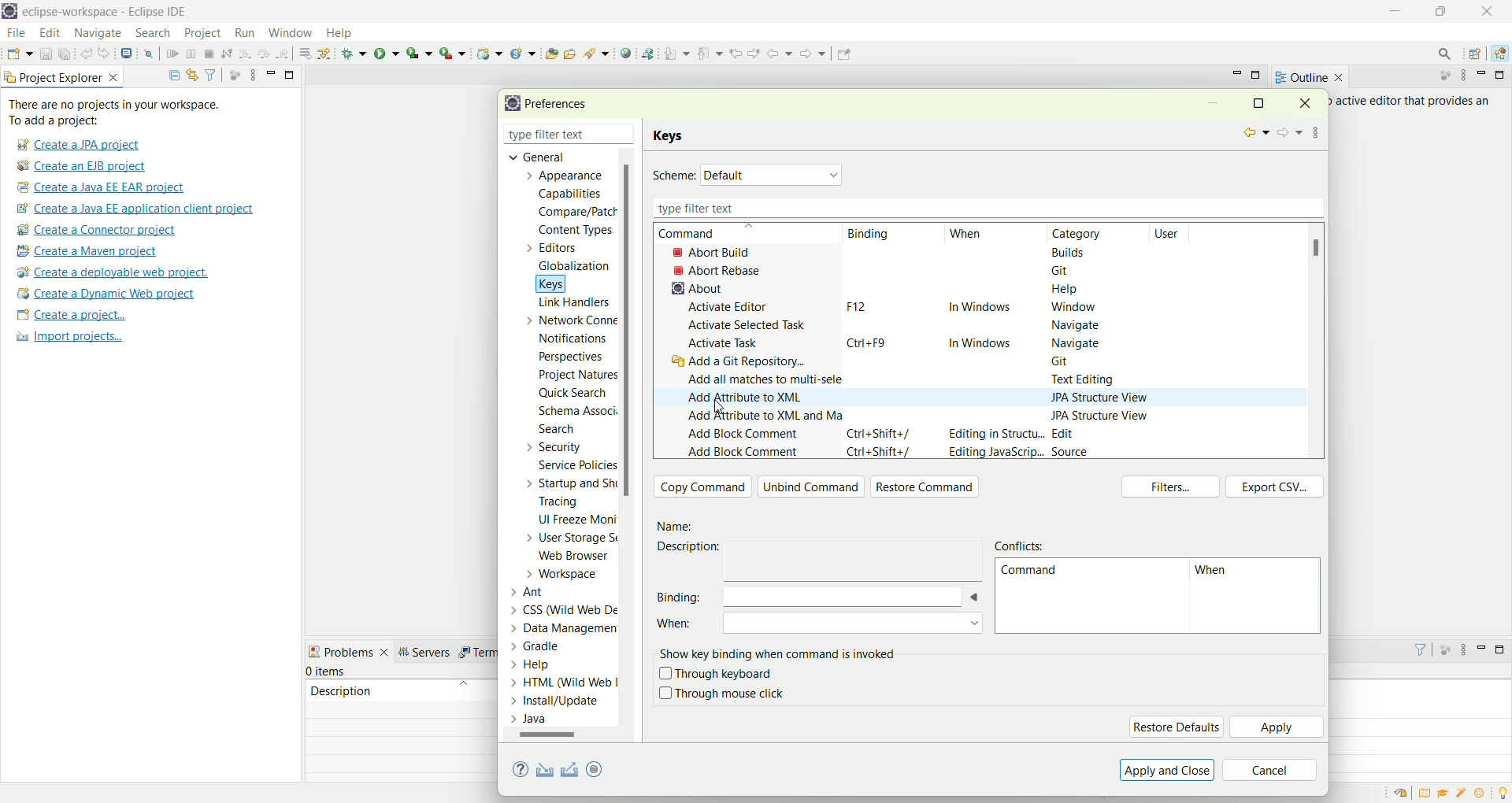 The width and height of the screenshot is (1512, 803). What do you see at coordinates (568, 320) in the screenshot?
I see `network connection` at bounding box center [568, 320].